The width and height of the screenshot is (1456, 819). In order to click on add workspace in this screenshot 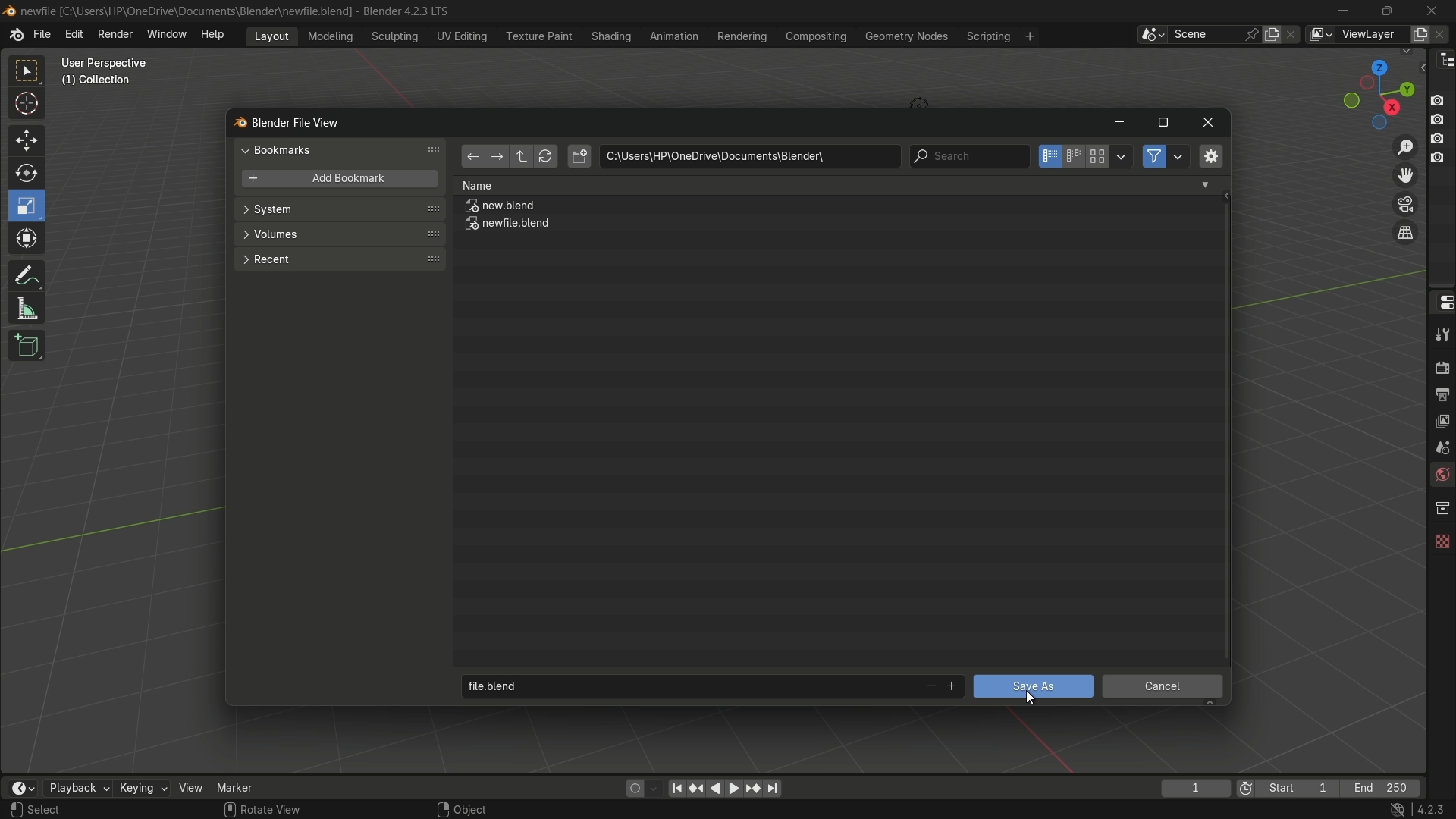, I will do `click(1028, 36)`.